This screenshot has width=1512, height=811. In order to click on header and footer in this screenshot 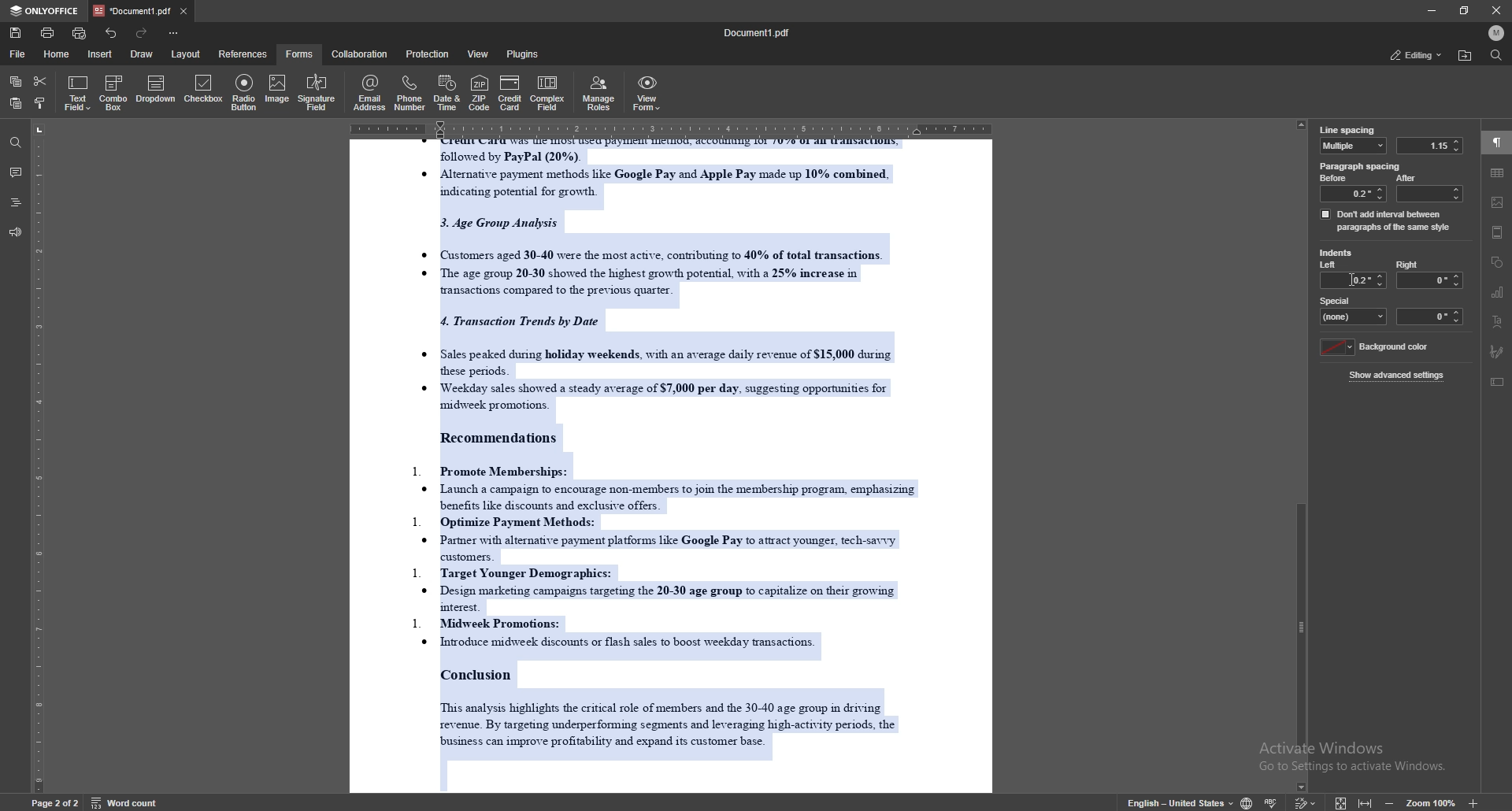, I will do `click(1498, 232)`.